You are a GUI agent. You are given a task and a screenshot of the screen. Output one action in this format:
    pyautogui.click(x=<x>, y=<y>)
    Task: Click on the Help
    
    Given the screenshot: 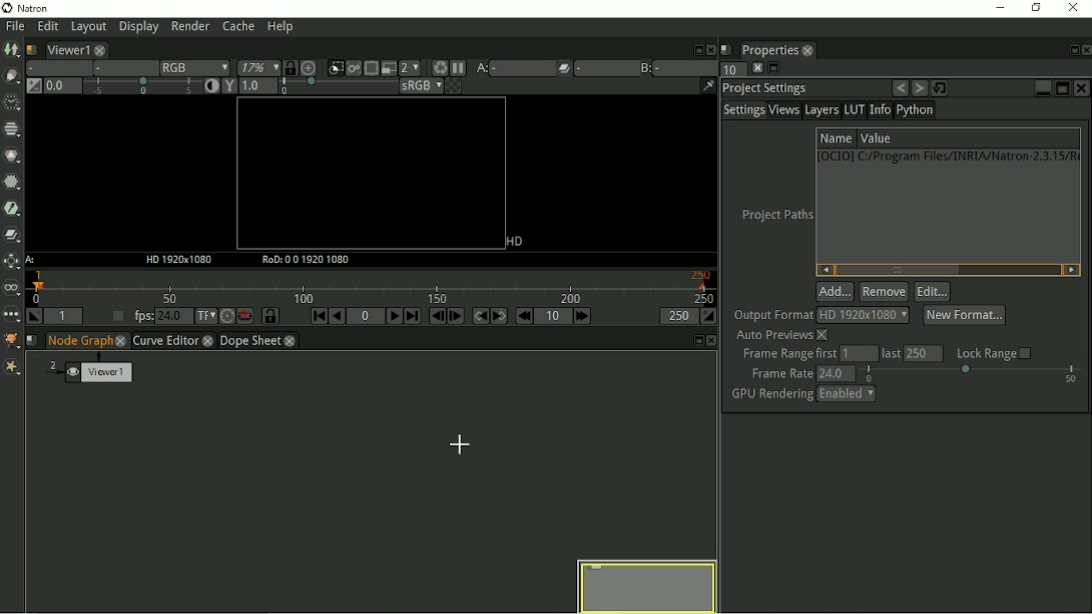 What is the action you would take?
    pyautogui.click(x=279, y=28)
    